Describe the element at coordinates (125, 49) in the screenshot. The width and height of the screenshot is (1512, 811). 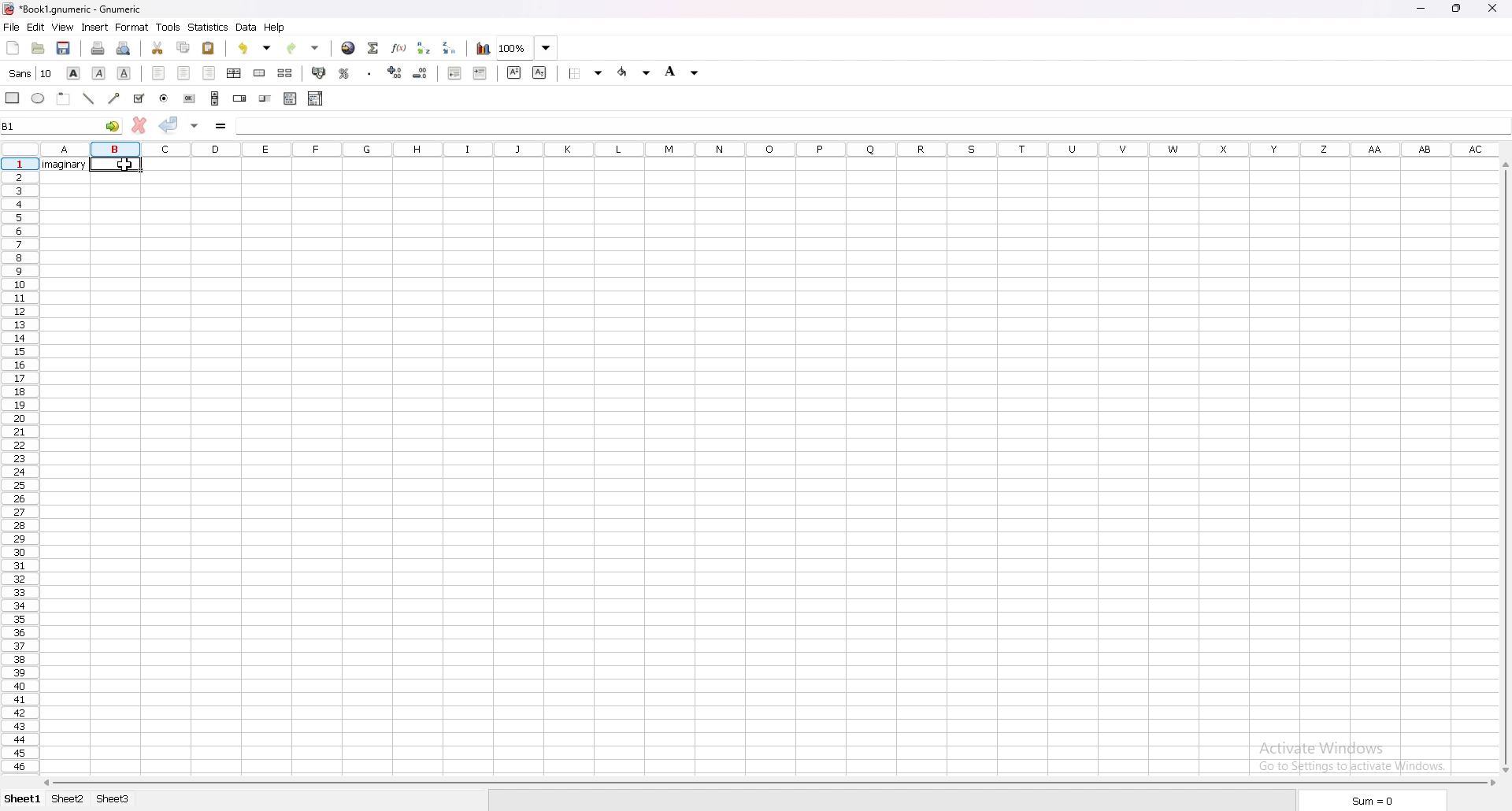
I see `print preview` at that location.